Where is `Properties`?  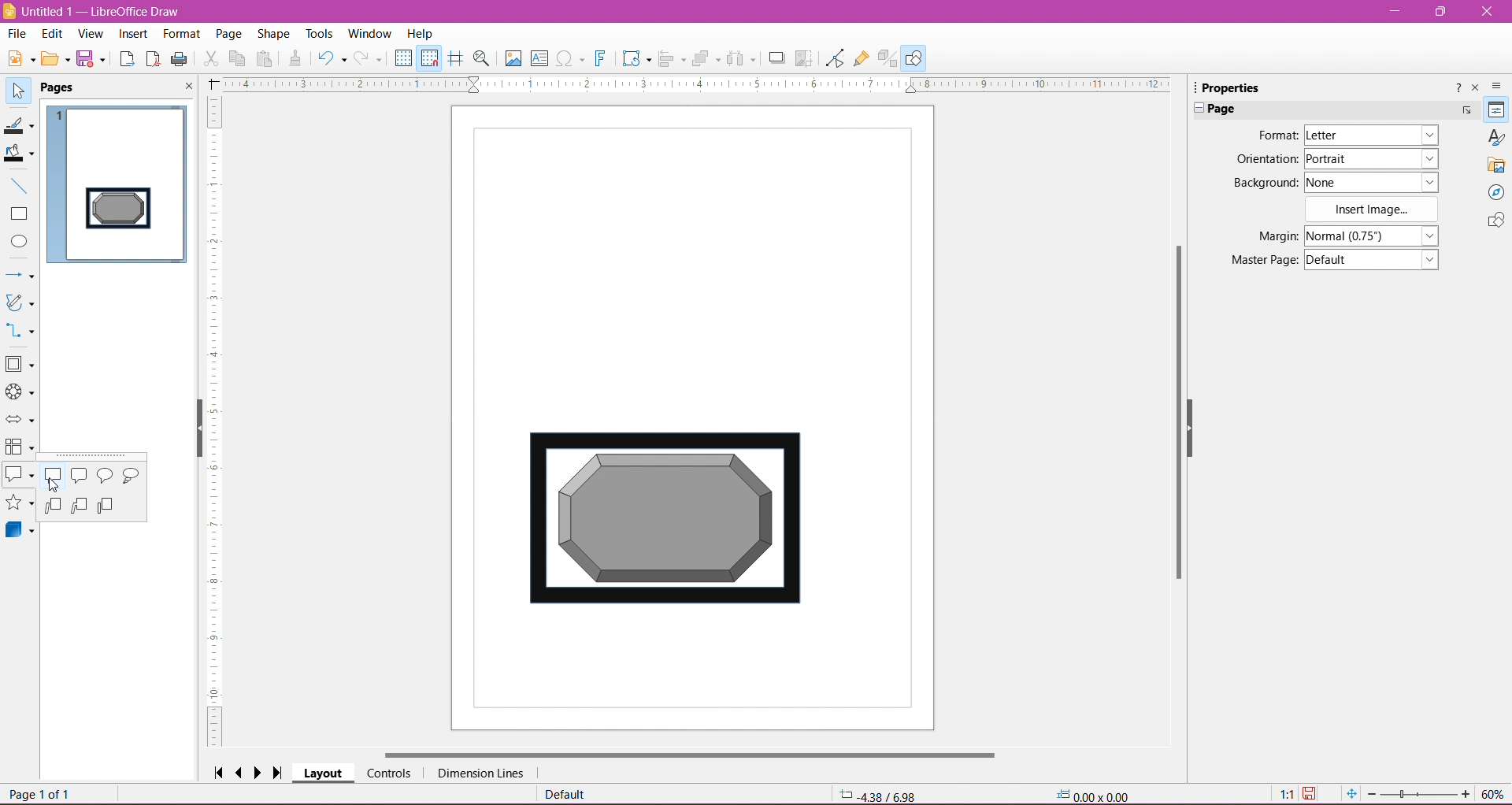 Properties is located at coordinates (1495, 110).